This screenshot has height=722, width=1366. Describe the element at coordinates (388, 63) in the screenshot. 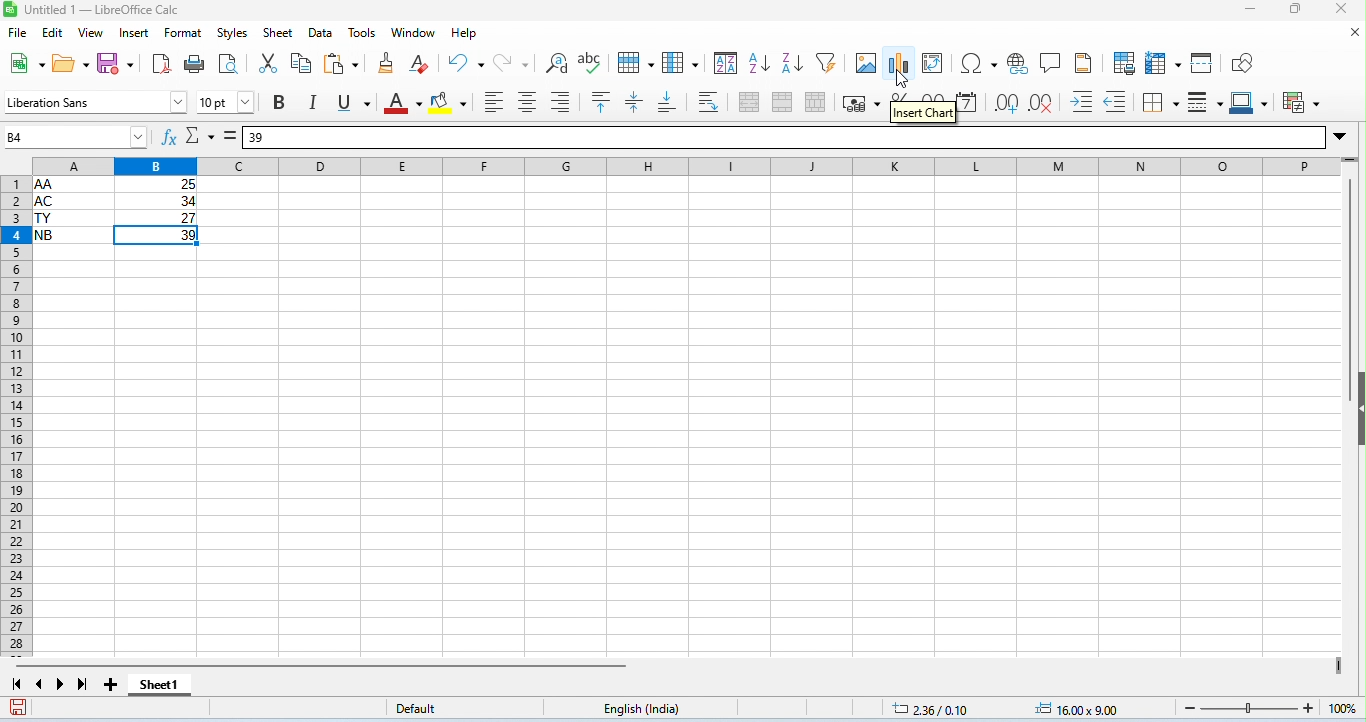

I see `clone` at that location.